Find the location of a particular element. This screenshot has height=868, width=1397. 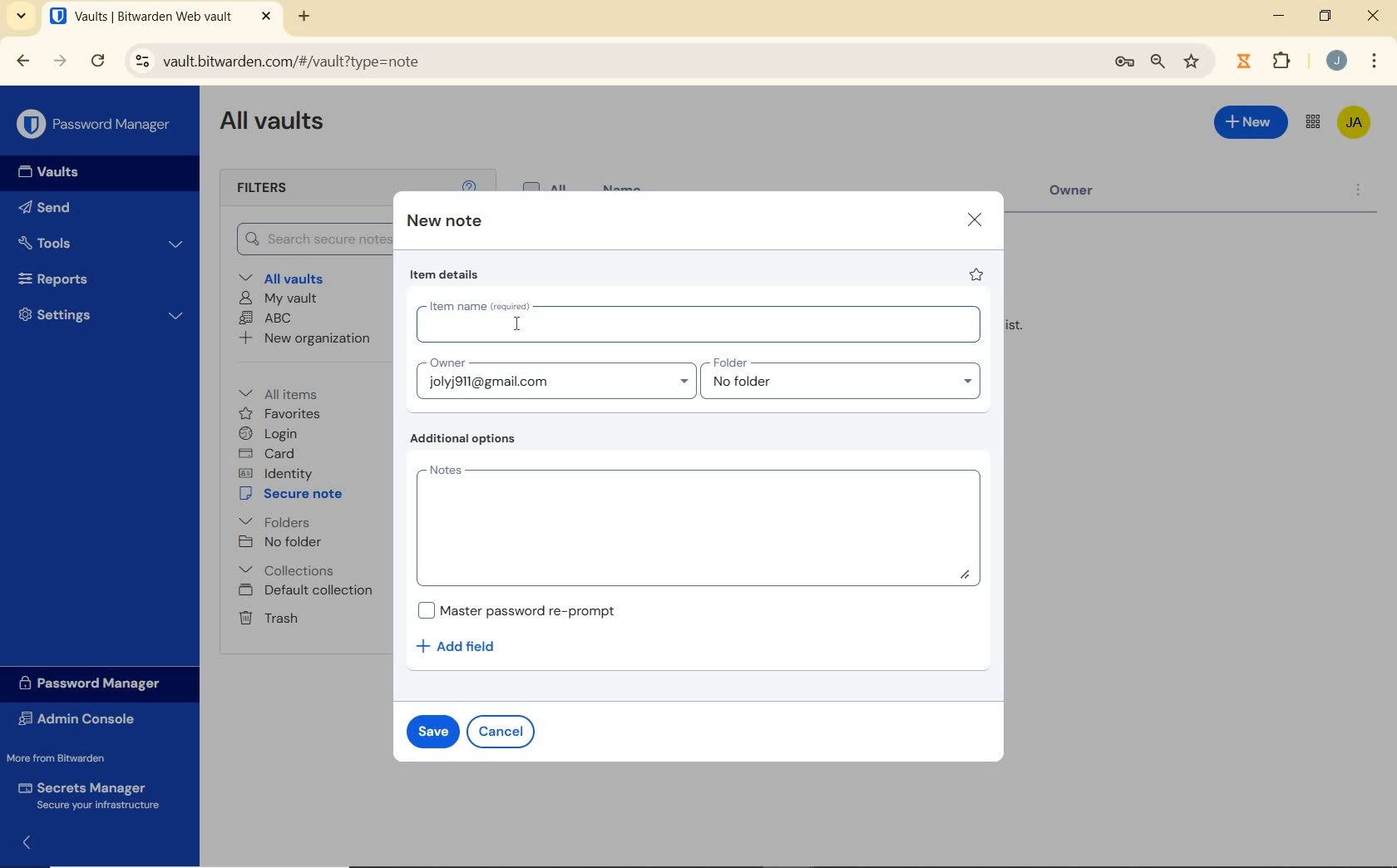

cancel is located at coordinates (501, 732).